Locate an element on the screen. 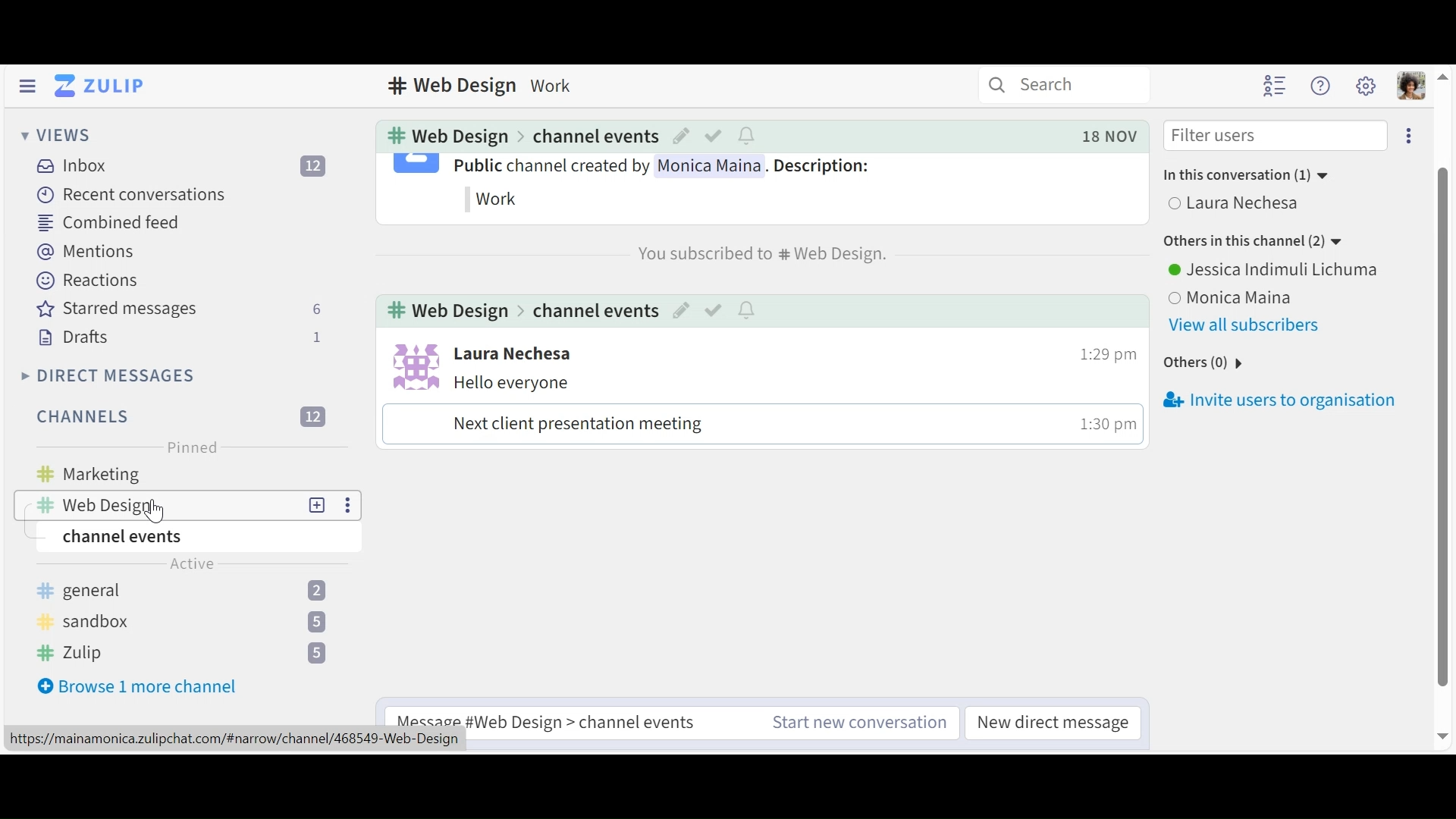 The height and width of the screenshot is (819, 1456). Channels is located at coordinates (180, 417).